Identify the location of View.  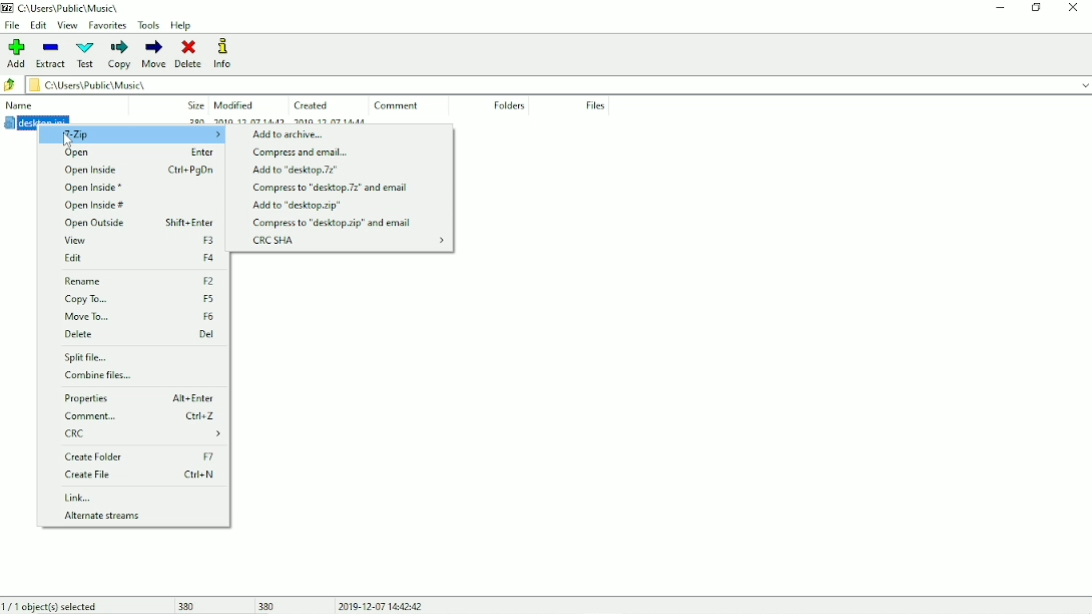
(137, 241).